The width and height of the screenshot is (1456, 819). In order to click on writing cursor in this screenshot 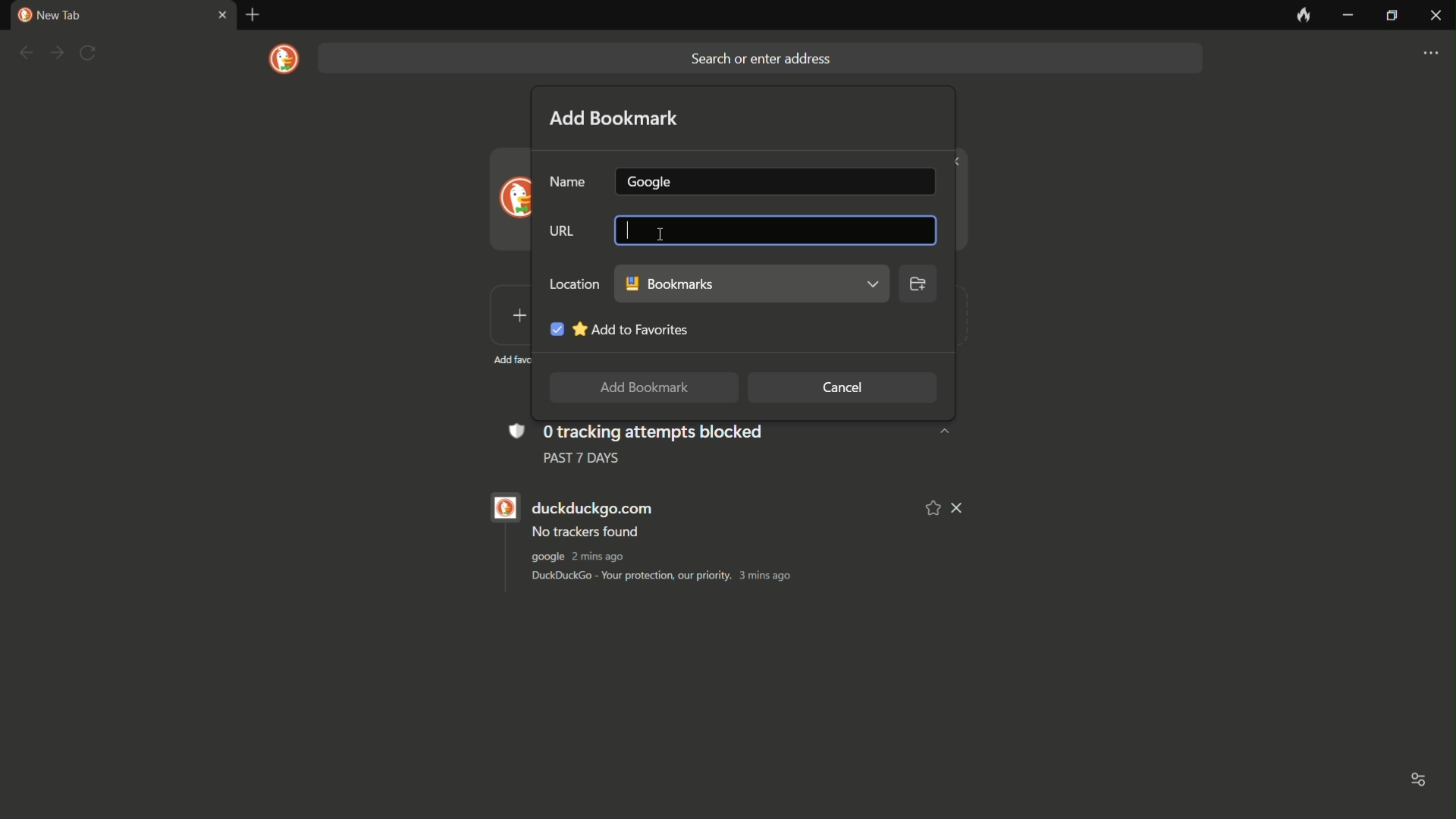, I will do `click(623, 231)`.